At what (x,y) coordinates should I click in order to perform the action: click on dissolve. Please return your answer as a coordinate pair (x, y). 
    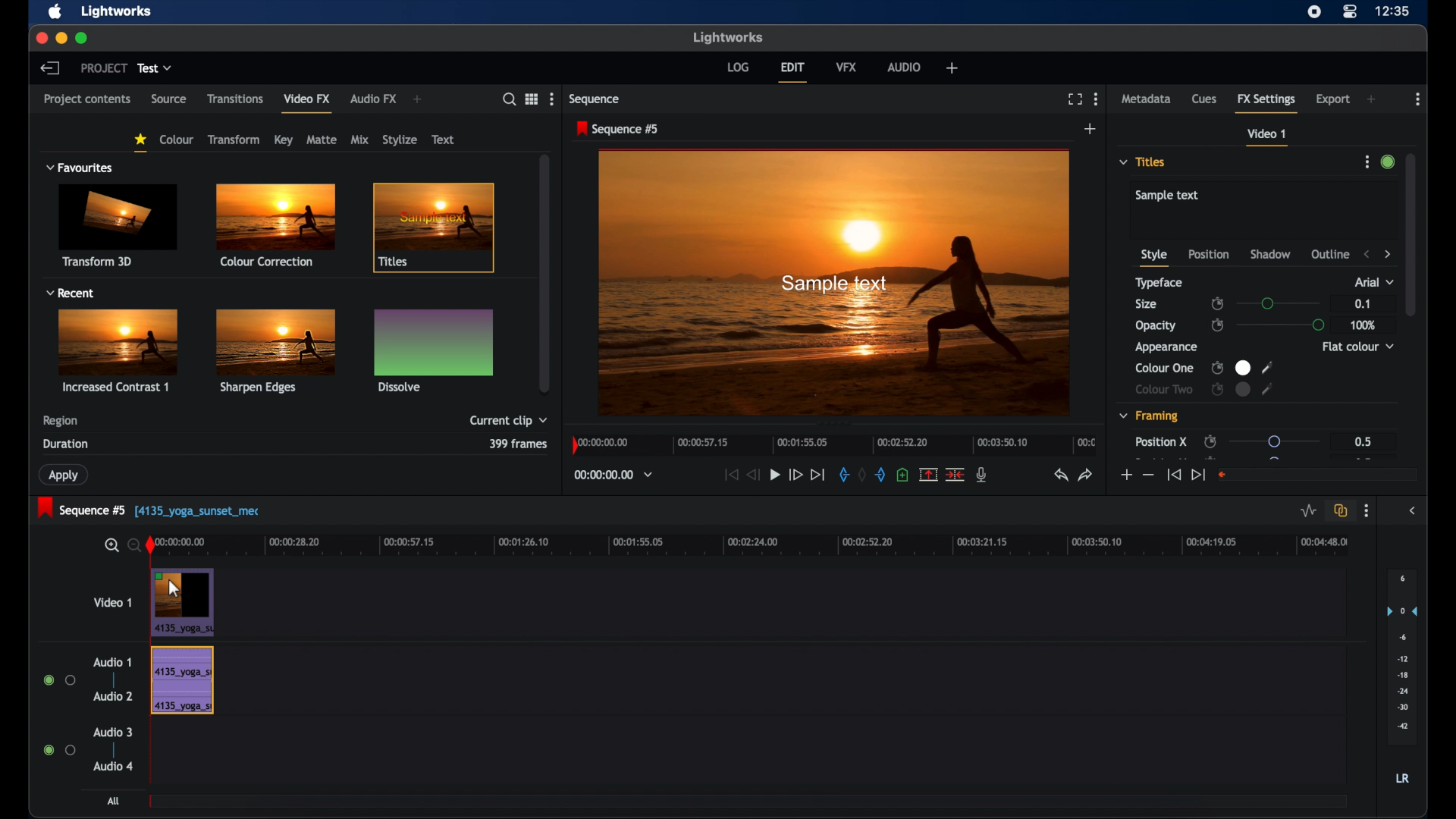
    Looking at the image, I should click on (434, 350).